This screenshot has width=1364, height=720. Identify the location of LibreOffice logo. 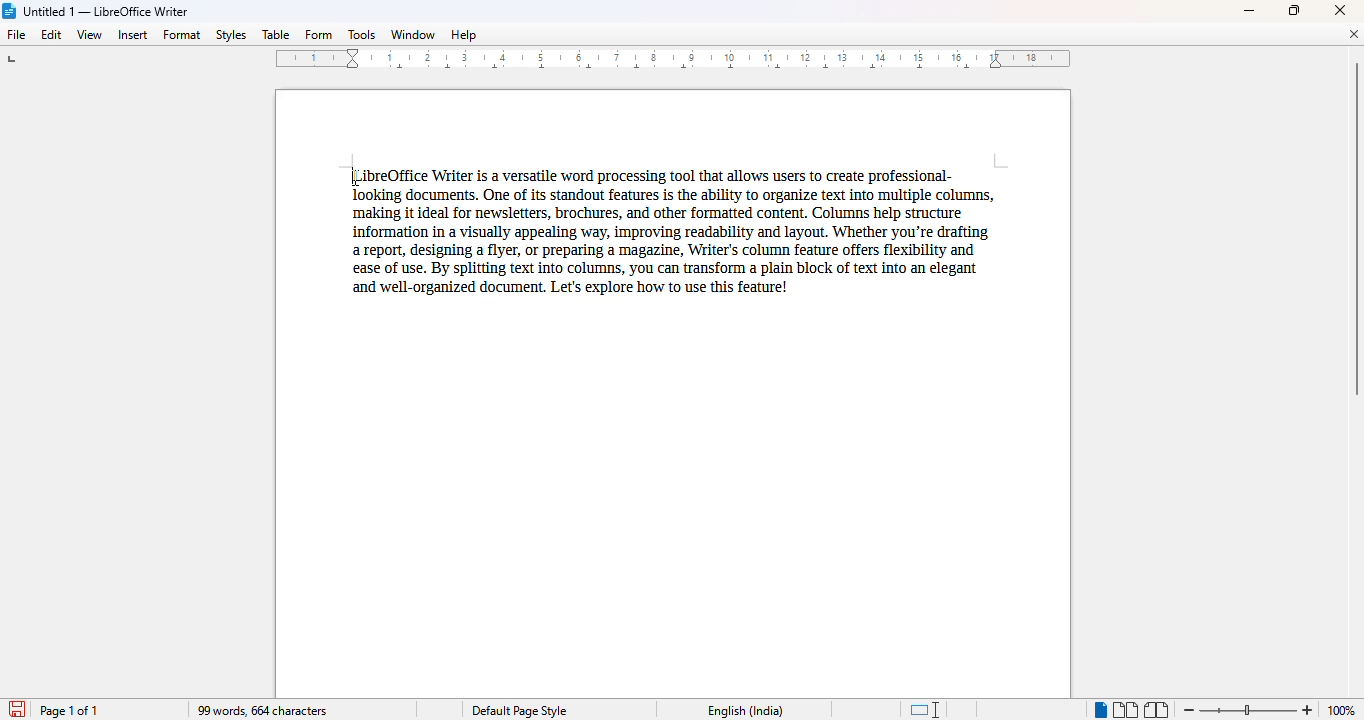
(10, 11).